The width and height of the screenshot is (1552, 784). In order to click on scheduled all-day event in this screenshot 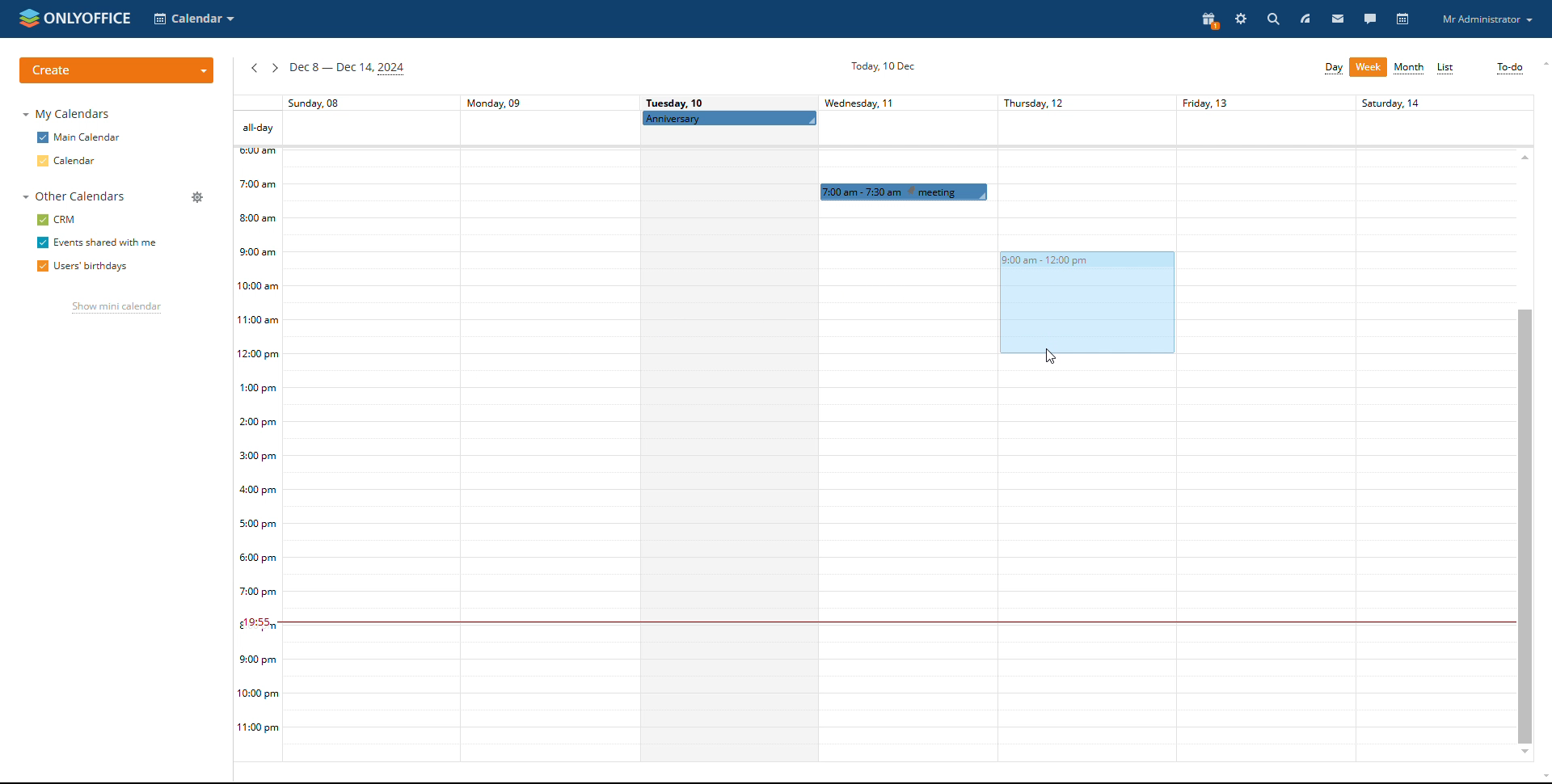, I will do `click(729, 118)`.